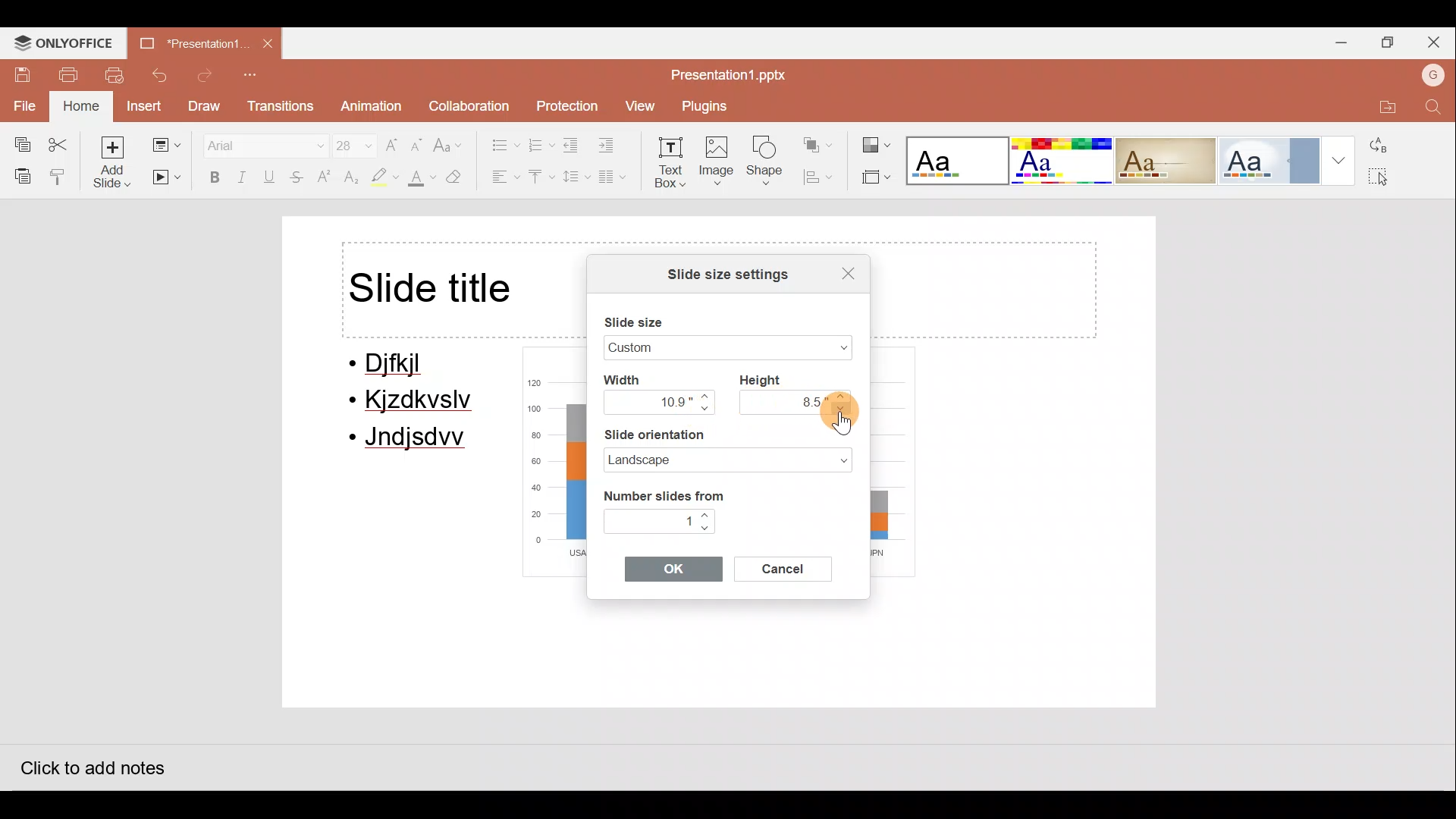 The height and width of the screenshot is (819, 1456). Describe the element at coordinates (639, 106) in the screenshot. I see `View` at that location.